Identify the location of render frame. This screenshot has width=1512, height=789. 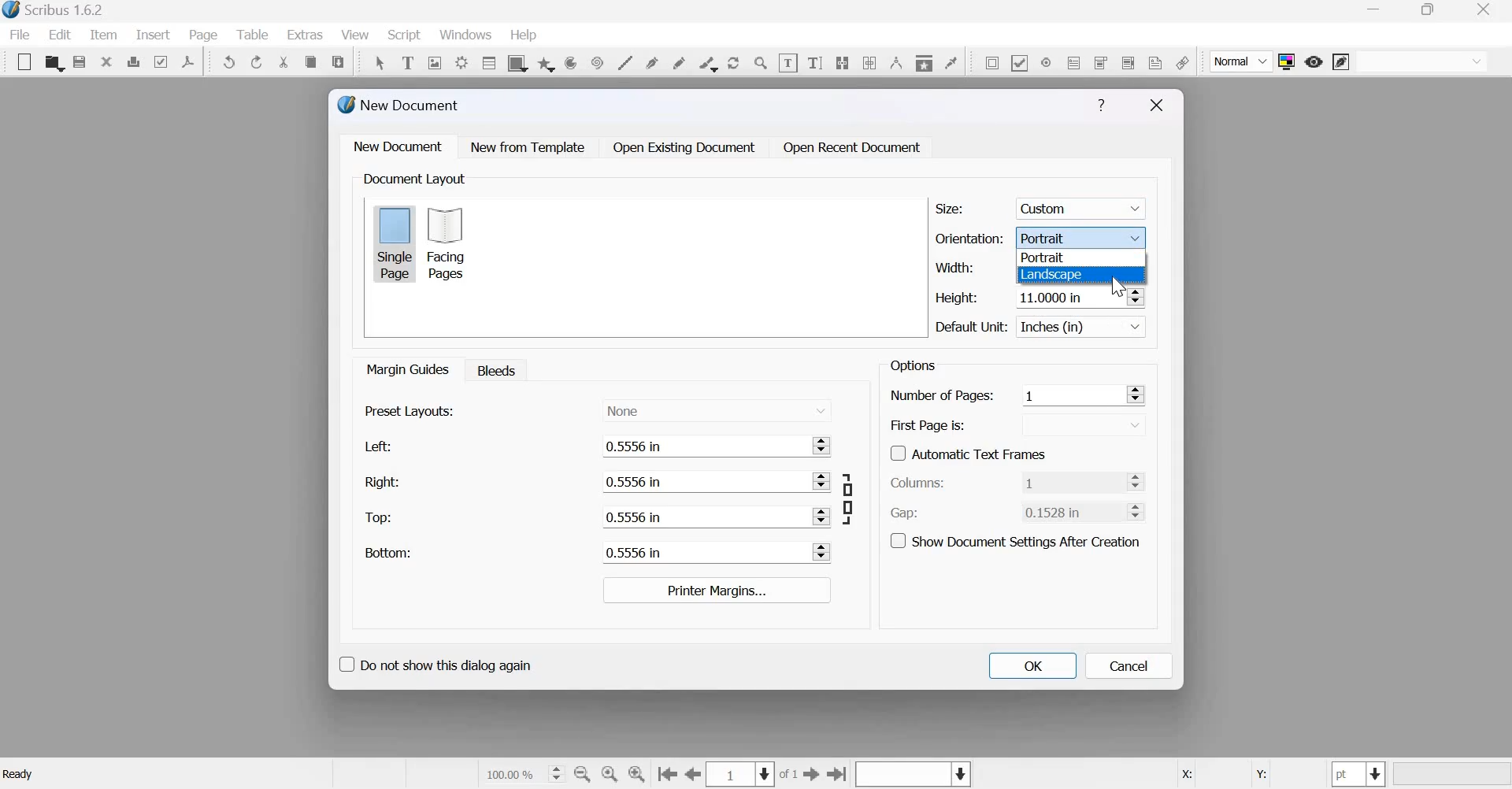
(461, 61).